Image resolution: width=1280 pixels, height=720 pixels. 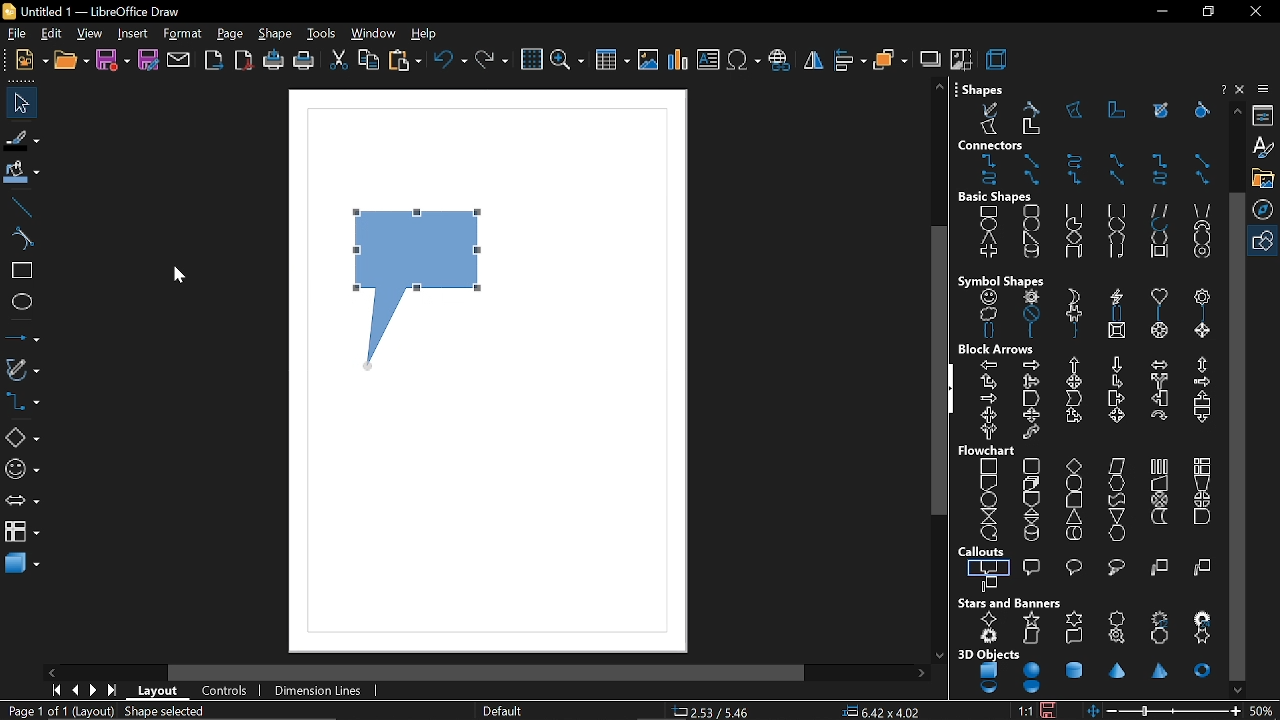 What do you see at coordinates (996, 59) in the screenshot?
I see `3d effect` at bounding box center [996, 59].